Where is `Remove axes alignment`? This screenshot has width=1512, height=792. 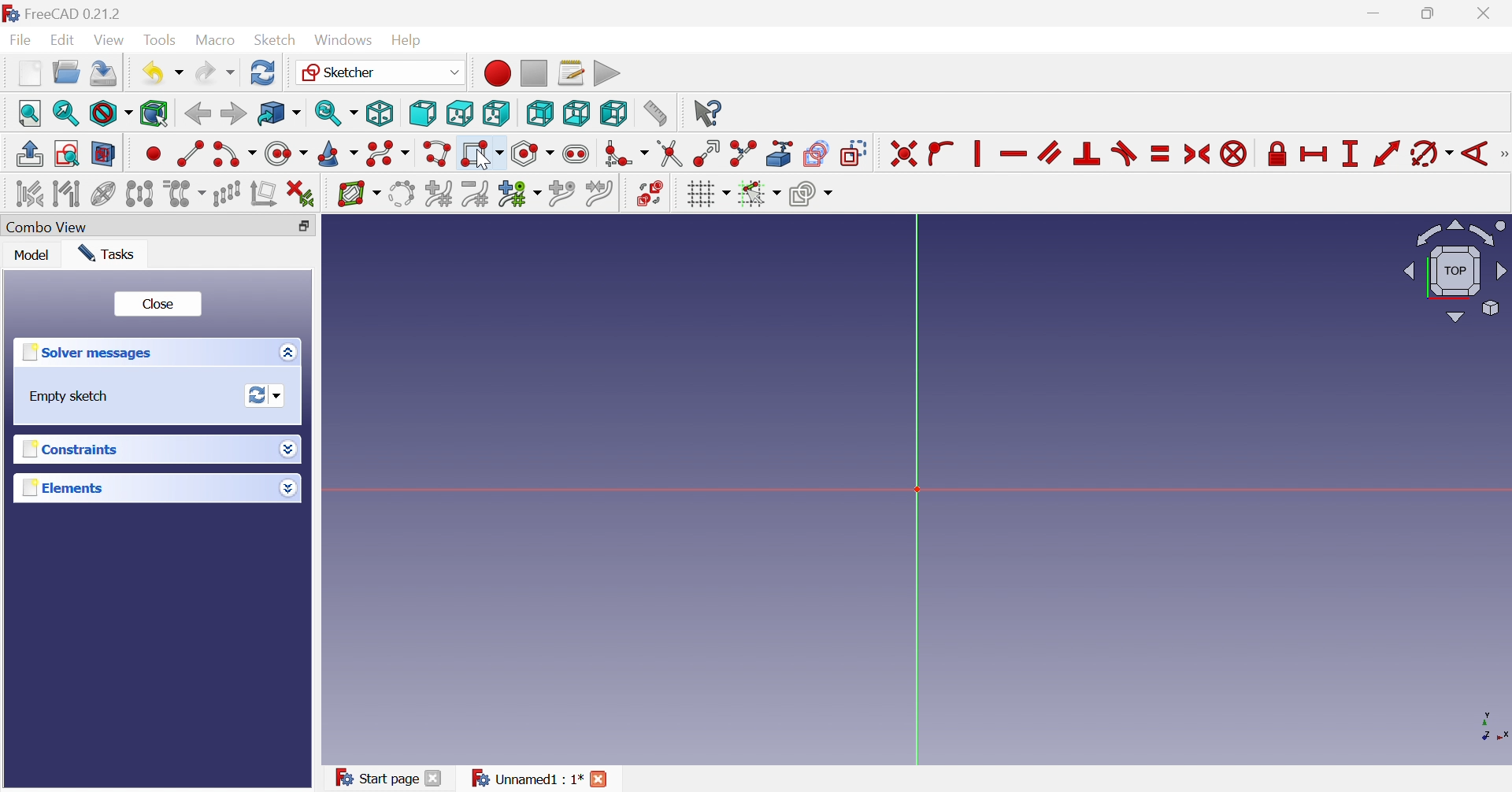 Remove axes alignment is located at coordinates (265, 195).